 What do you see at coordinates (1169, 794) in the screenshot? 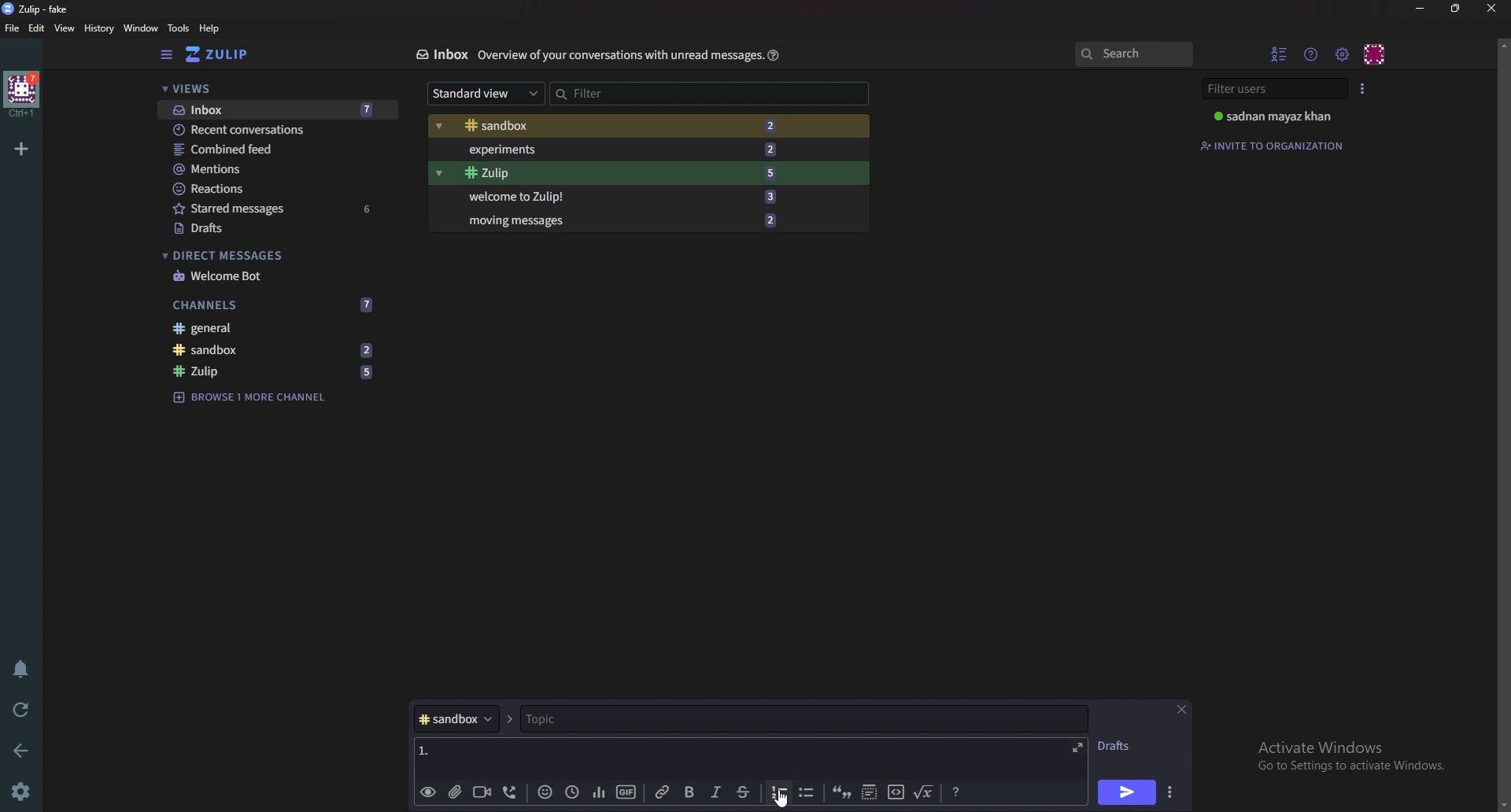
I see `Send options` at bounding box center [1169, 794].